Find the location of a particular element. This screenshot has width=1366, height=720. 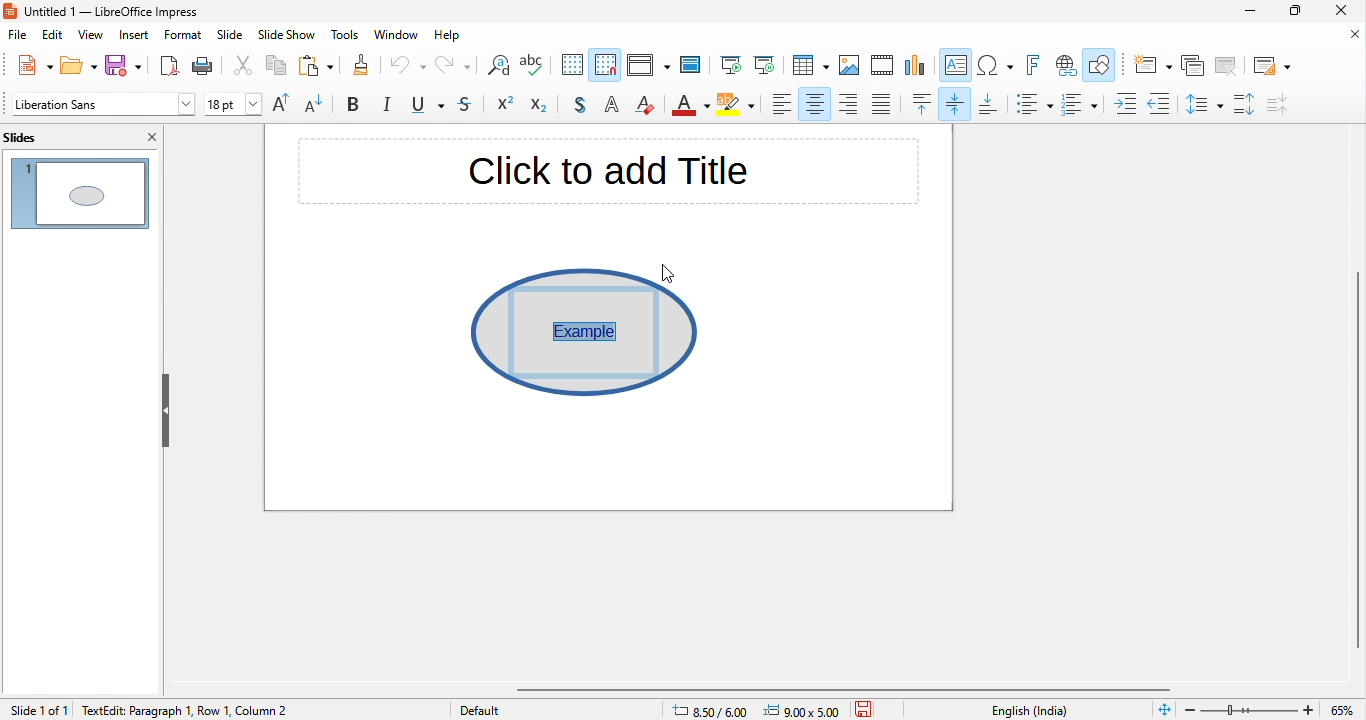

bold is located at coordinates (357, 106).